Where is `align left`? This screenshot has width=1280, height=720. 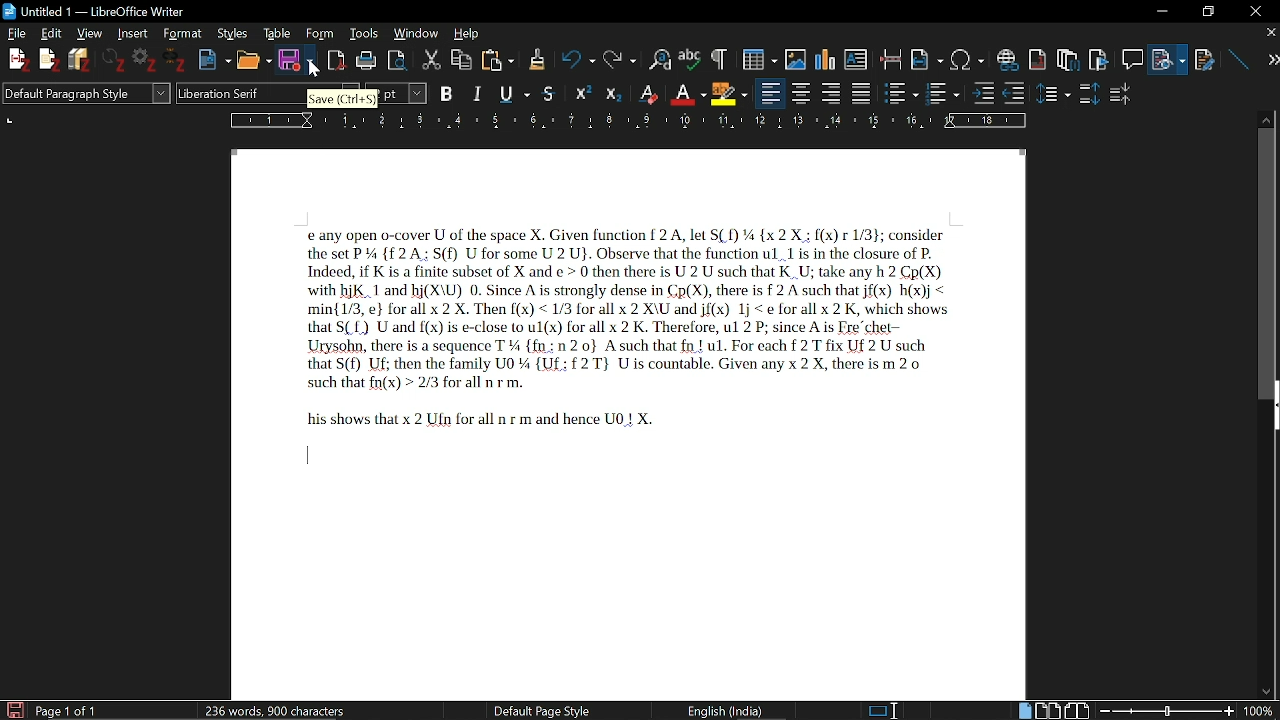
align left is located at coordinates (771, 92).